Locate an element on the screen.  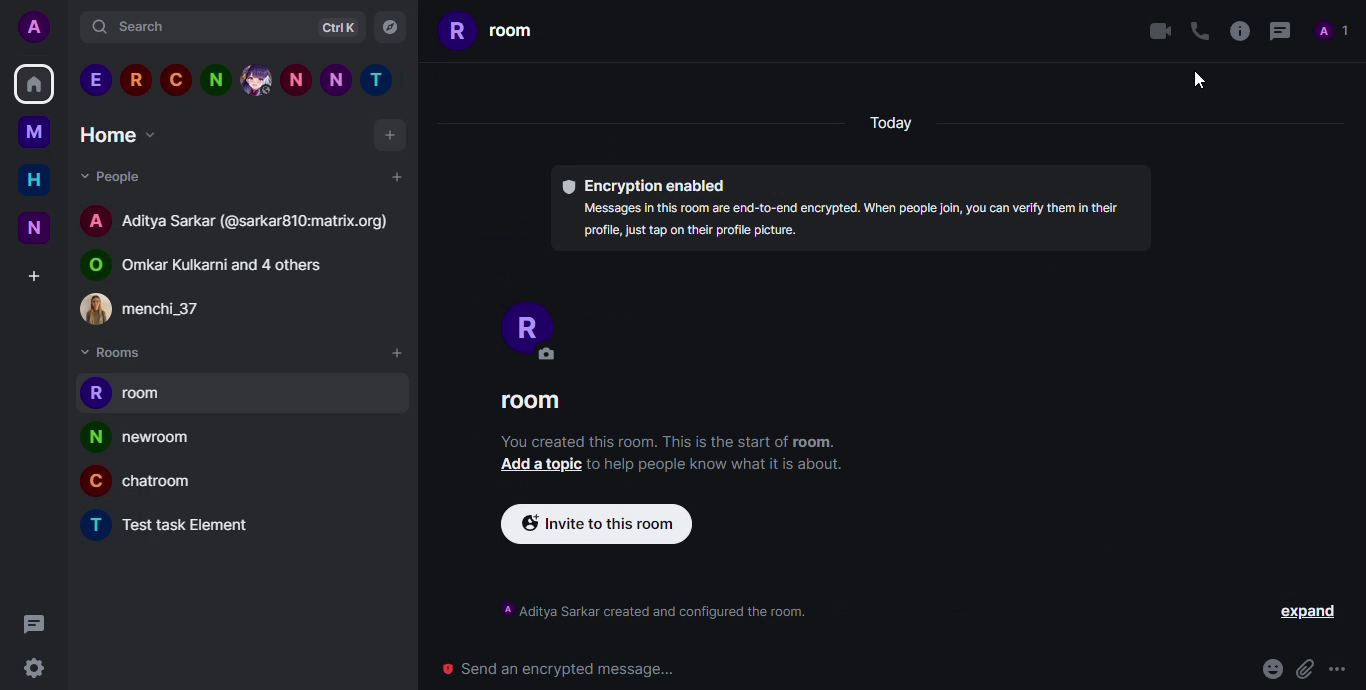
people 8 is located at coordinates (381, 81).